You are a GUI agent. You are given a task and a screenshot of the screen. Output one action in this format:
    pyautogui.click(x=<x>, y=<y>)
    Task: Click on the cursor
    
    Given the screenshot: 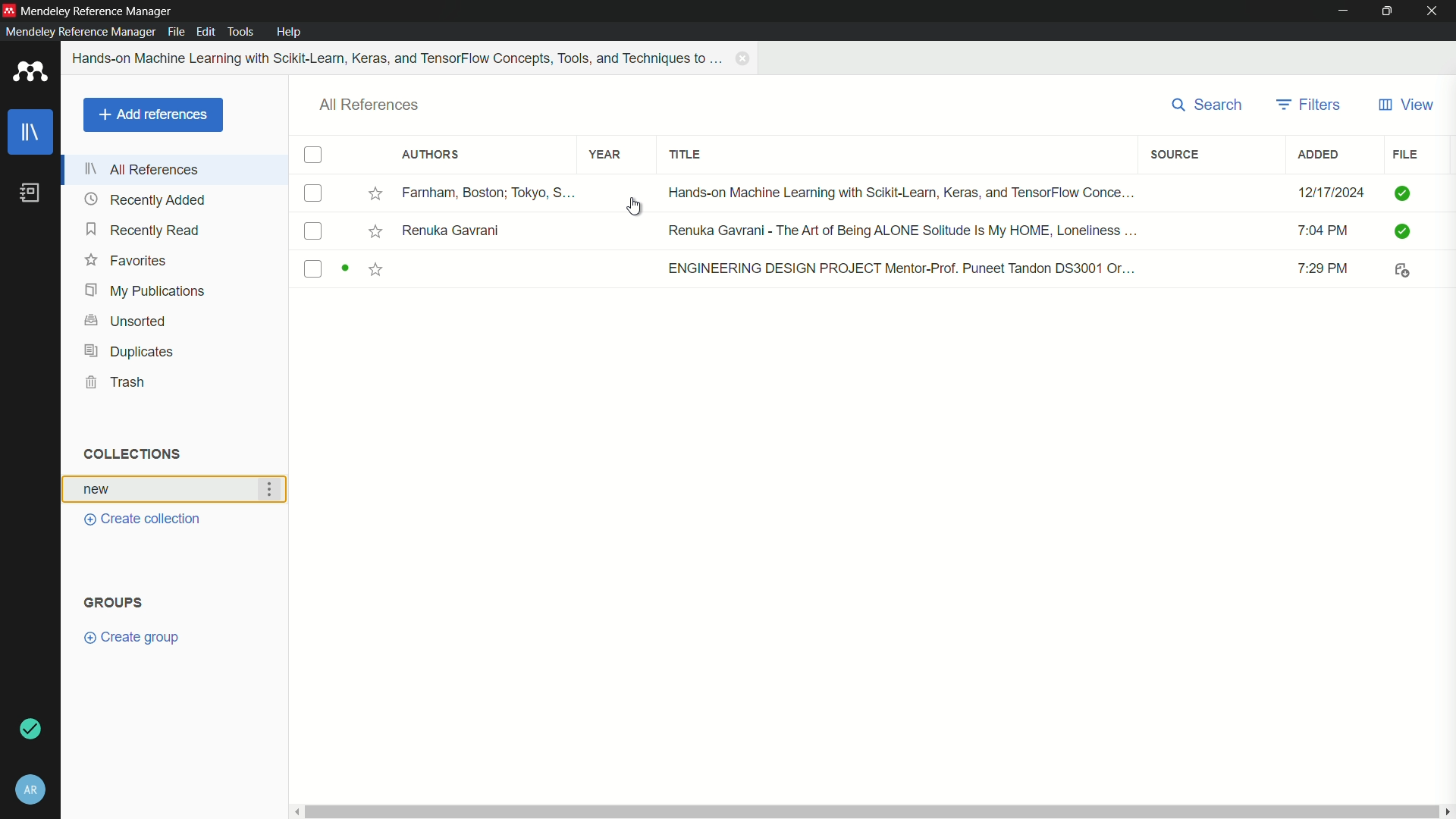 What is the action you would take?
    pyautogui.click(x=633, y=209)
    